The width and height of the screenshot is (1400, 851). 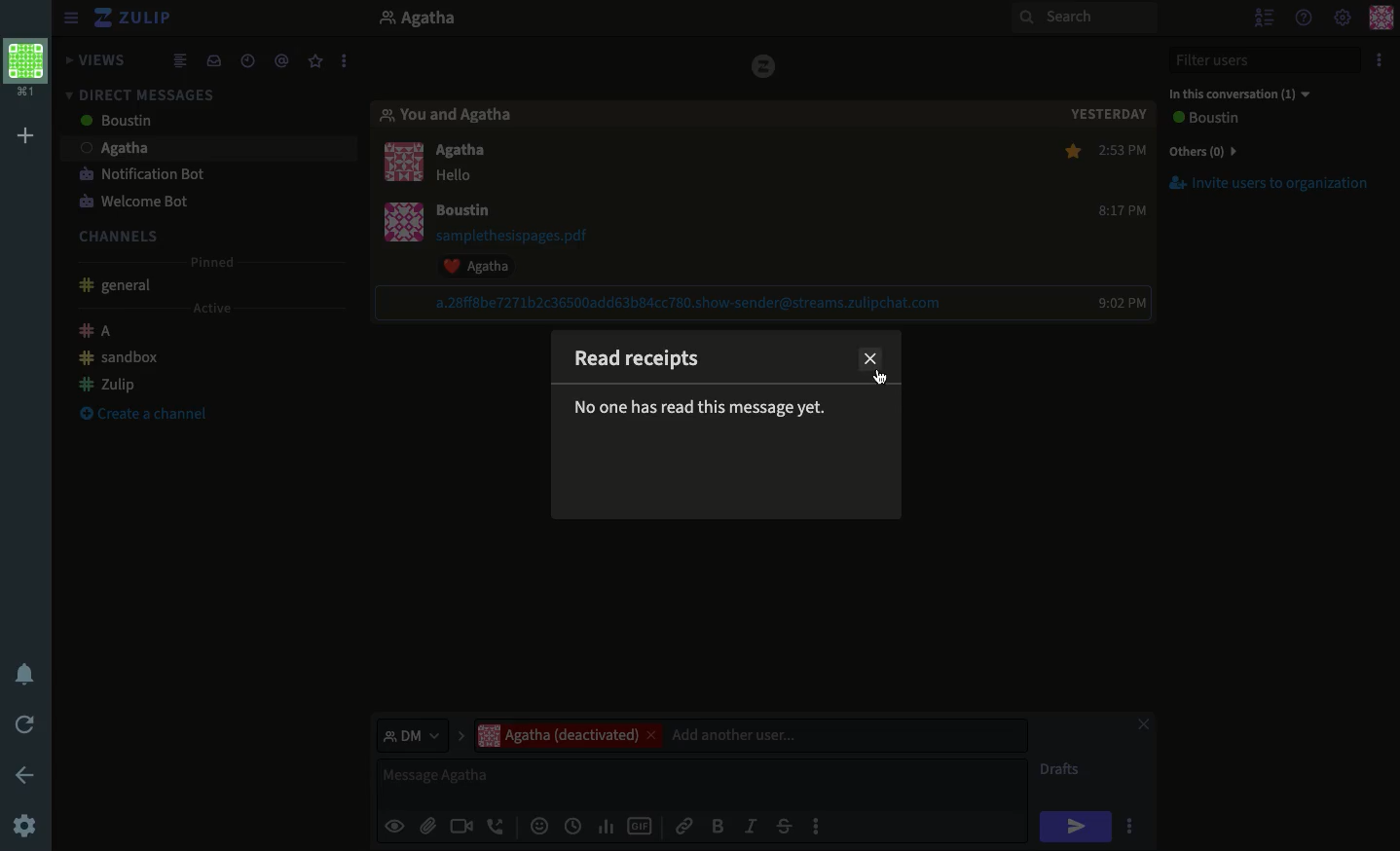 I want to click on Profile, so click(x=26, y=71).